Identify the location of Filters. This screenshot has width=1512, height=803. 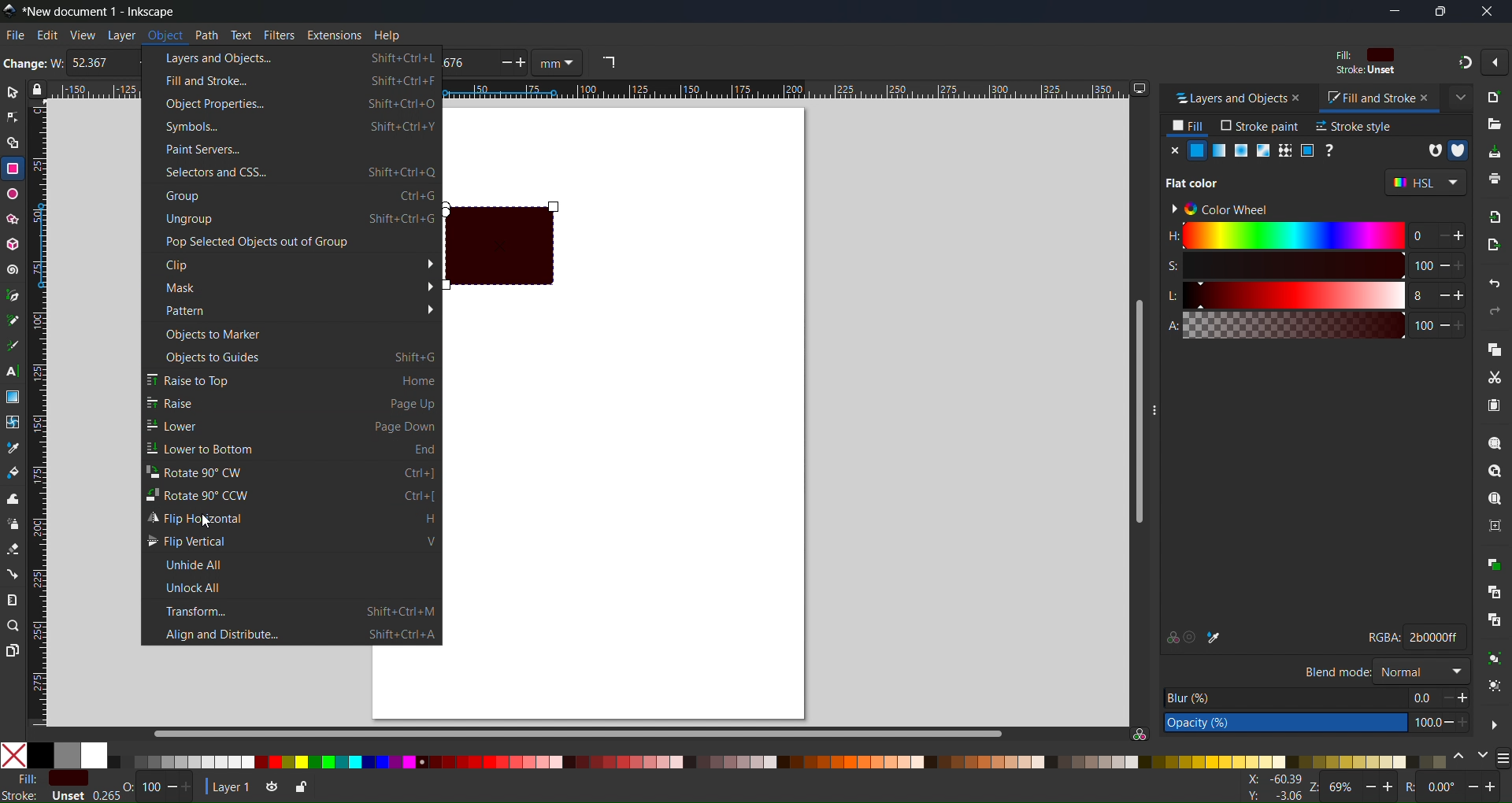
(279, 35).